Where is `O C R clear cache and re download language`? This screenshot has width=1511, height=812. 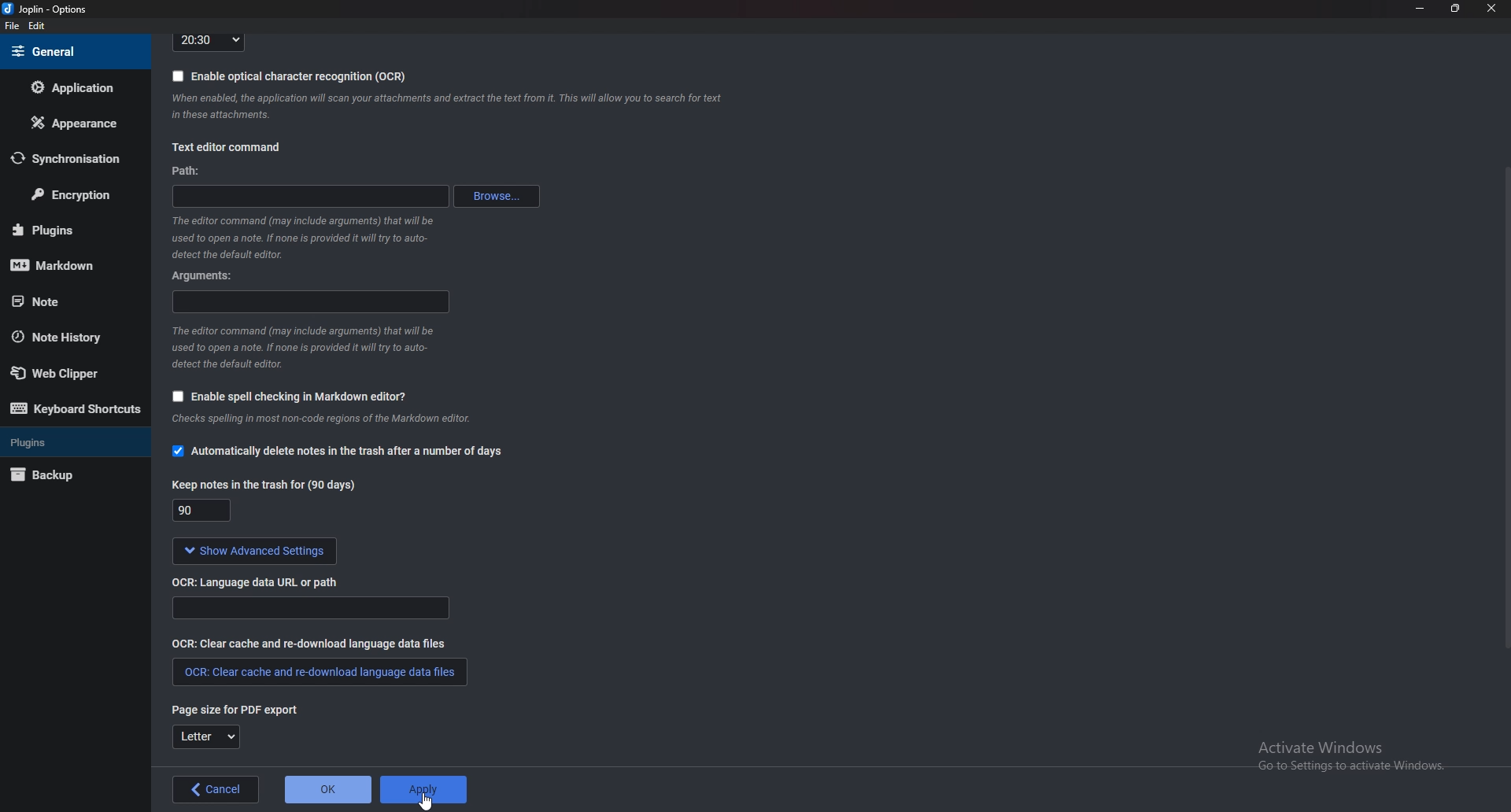 O C R clear cache and re download language is located at coordinates (312, 643).